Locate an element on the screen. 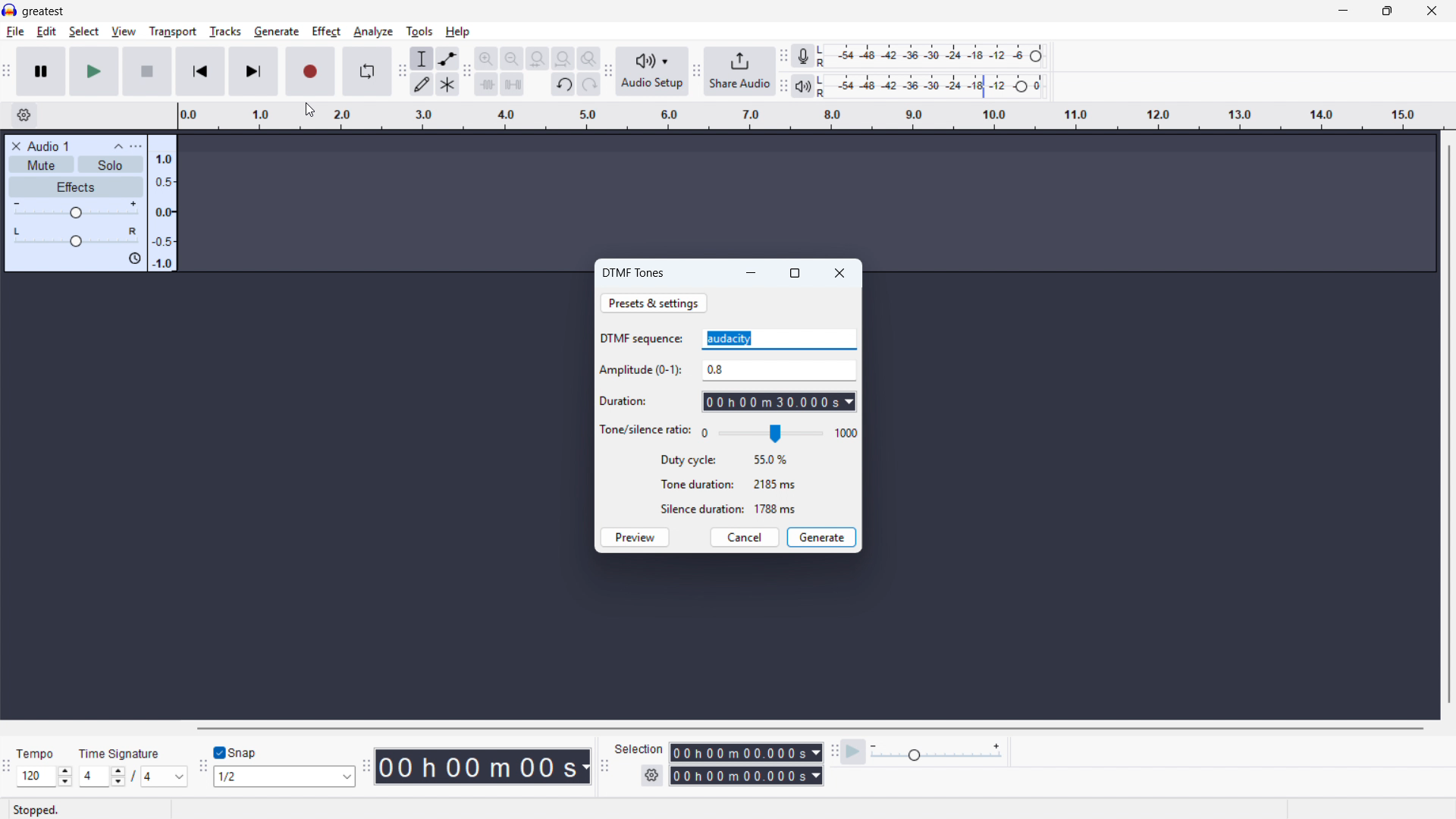 The width and height of the screenshot is (1456, 819). effect is located at coordinates (327, 32).